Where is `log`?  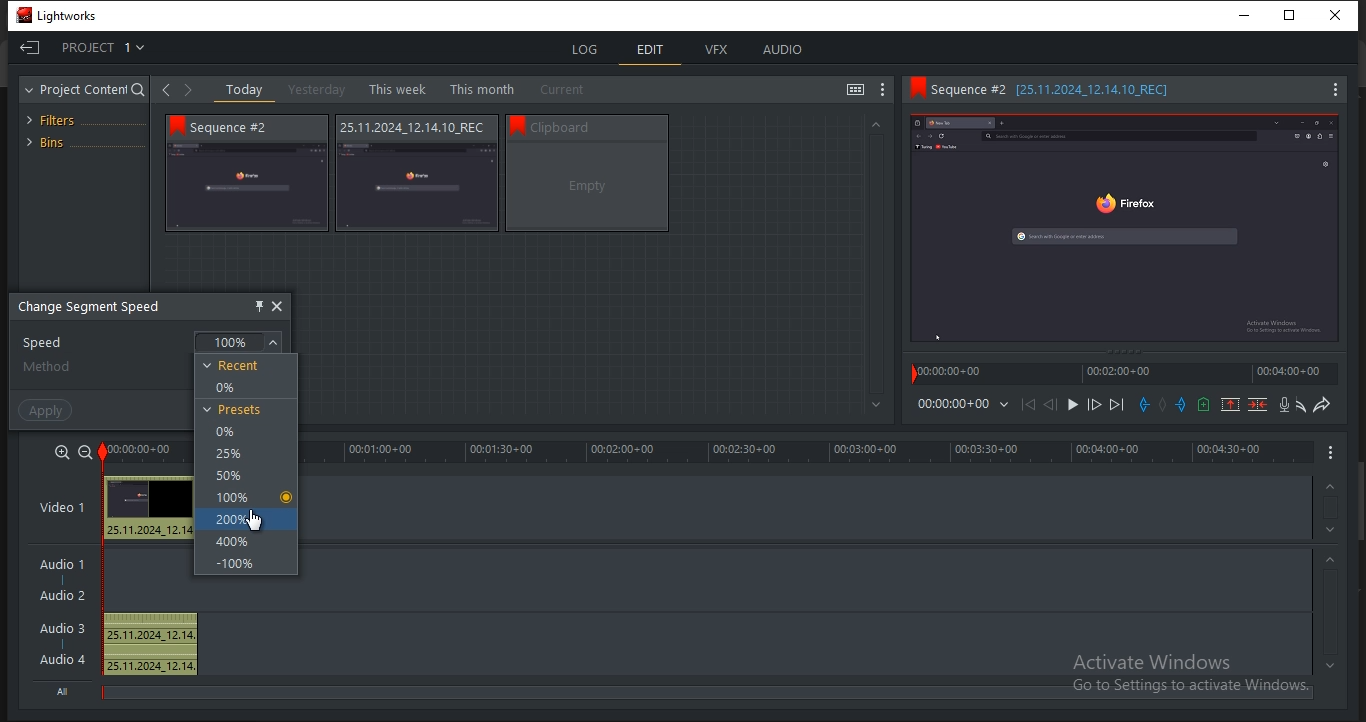 log is located at coordinates (588, 48).